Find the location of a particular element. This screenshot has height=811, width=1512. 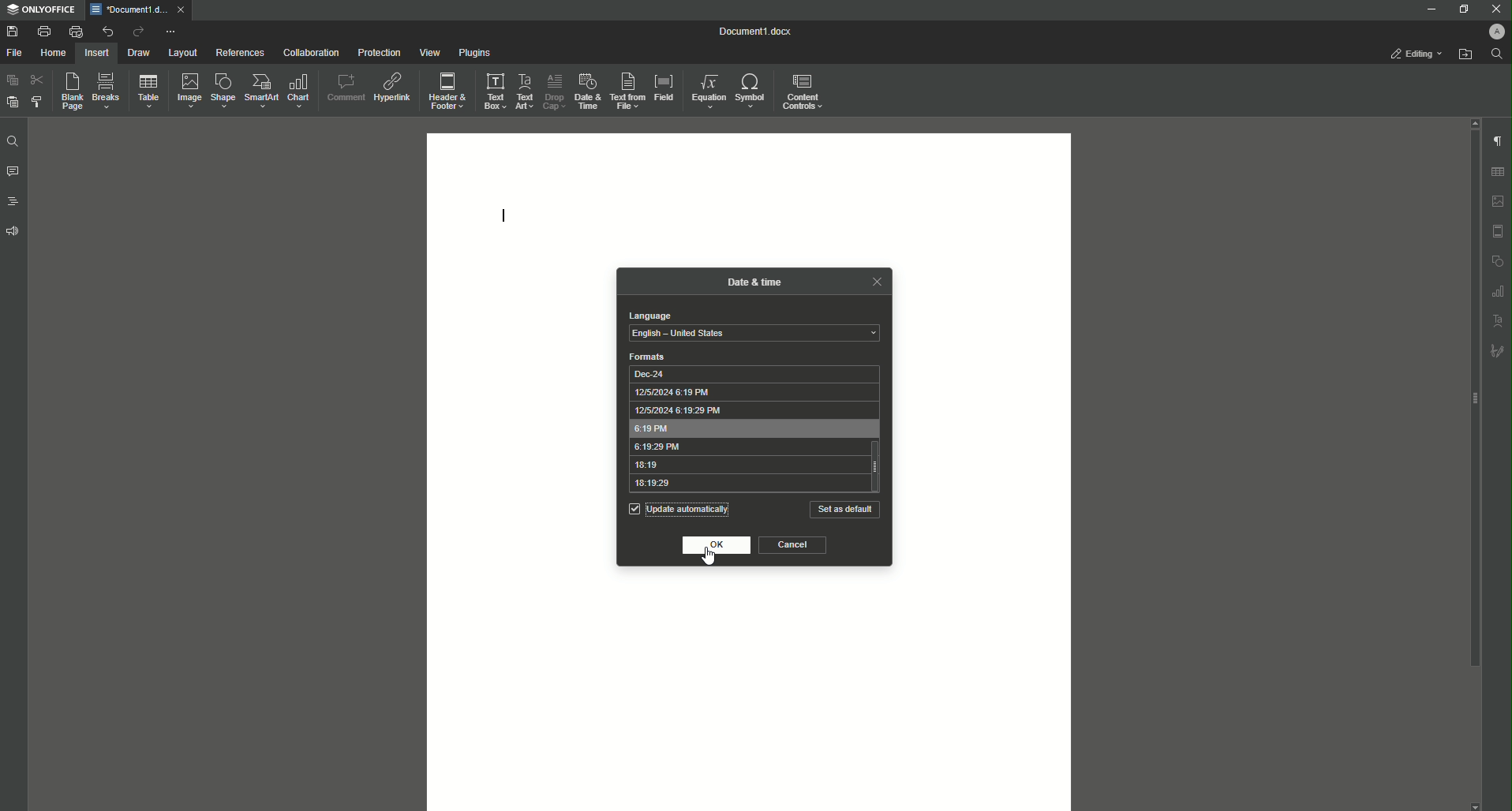

Editing is located at coordinates (1417, 54).